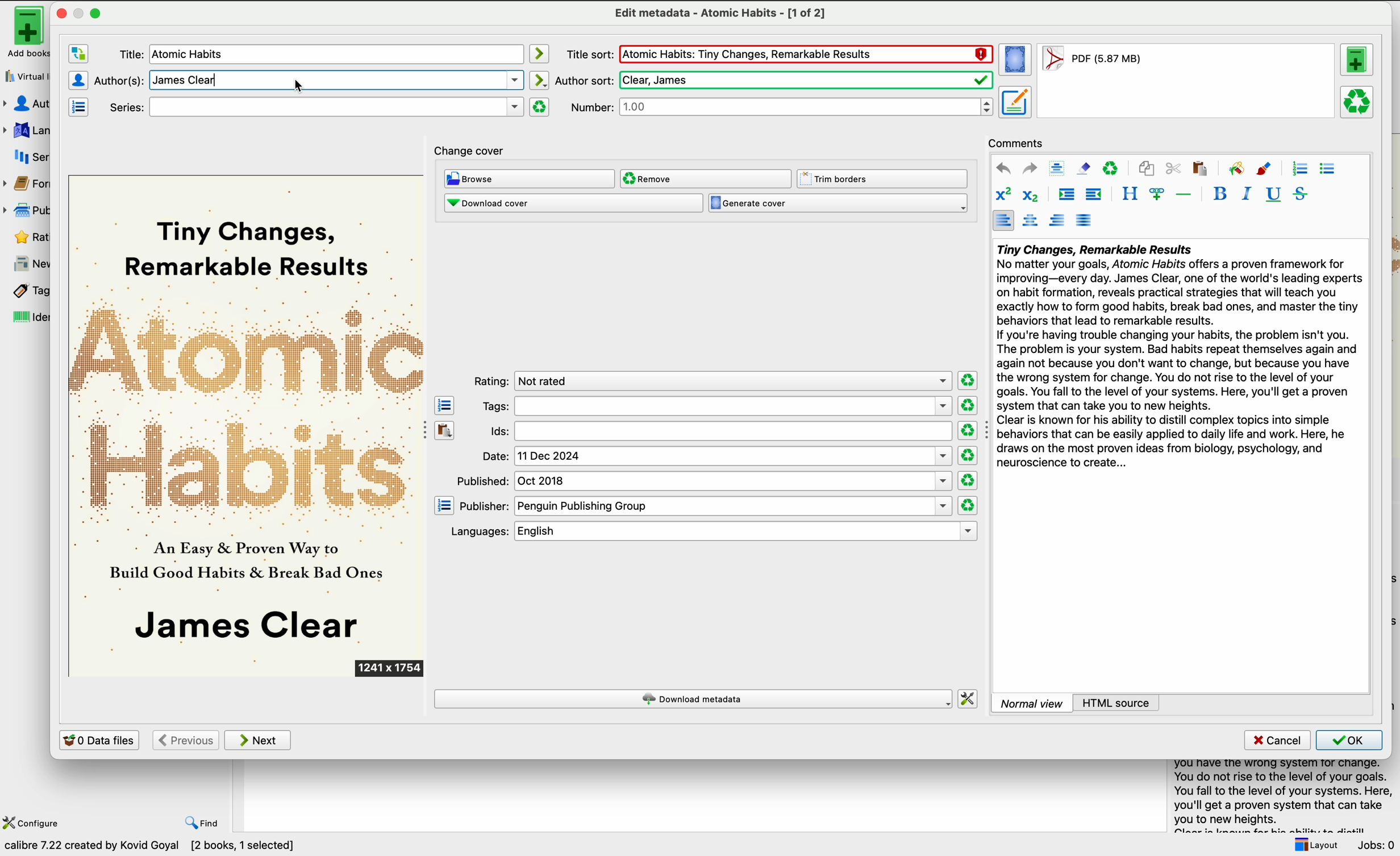 This screenshot has width=1400, height=856. What do you see at coordinates (193, 55) in the screenshot?
I see `title modified` at bounding box center [193, 55].